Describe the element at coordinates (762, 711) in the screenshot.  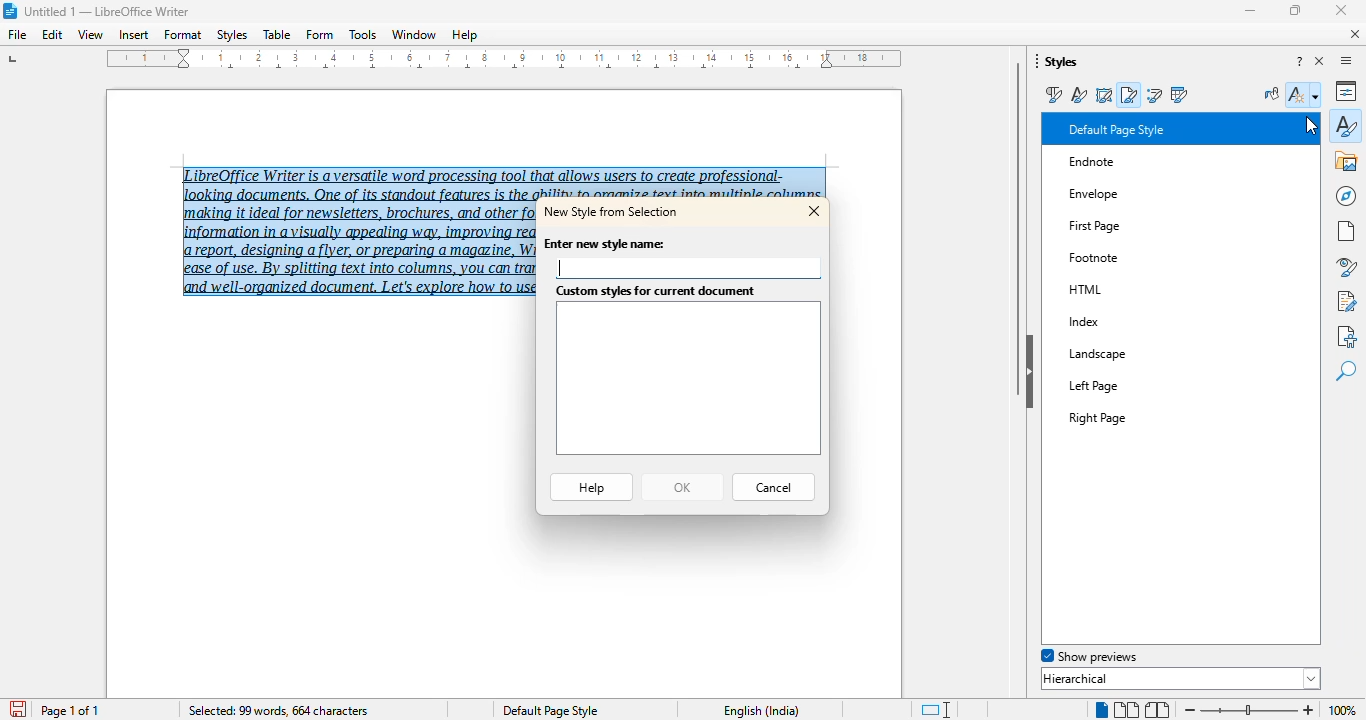
I see `English (India)` at that location.